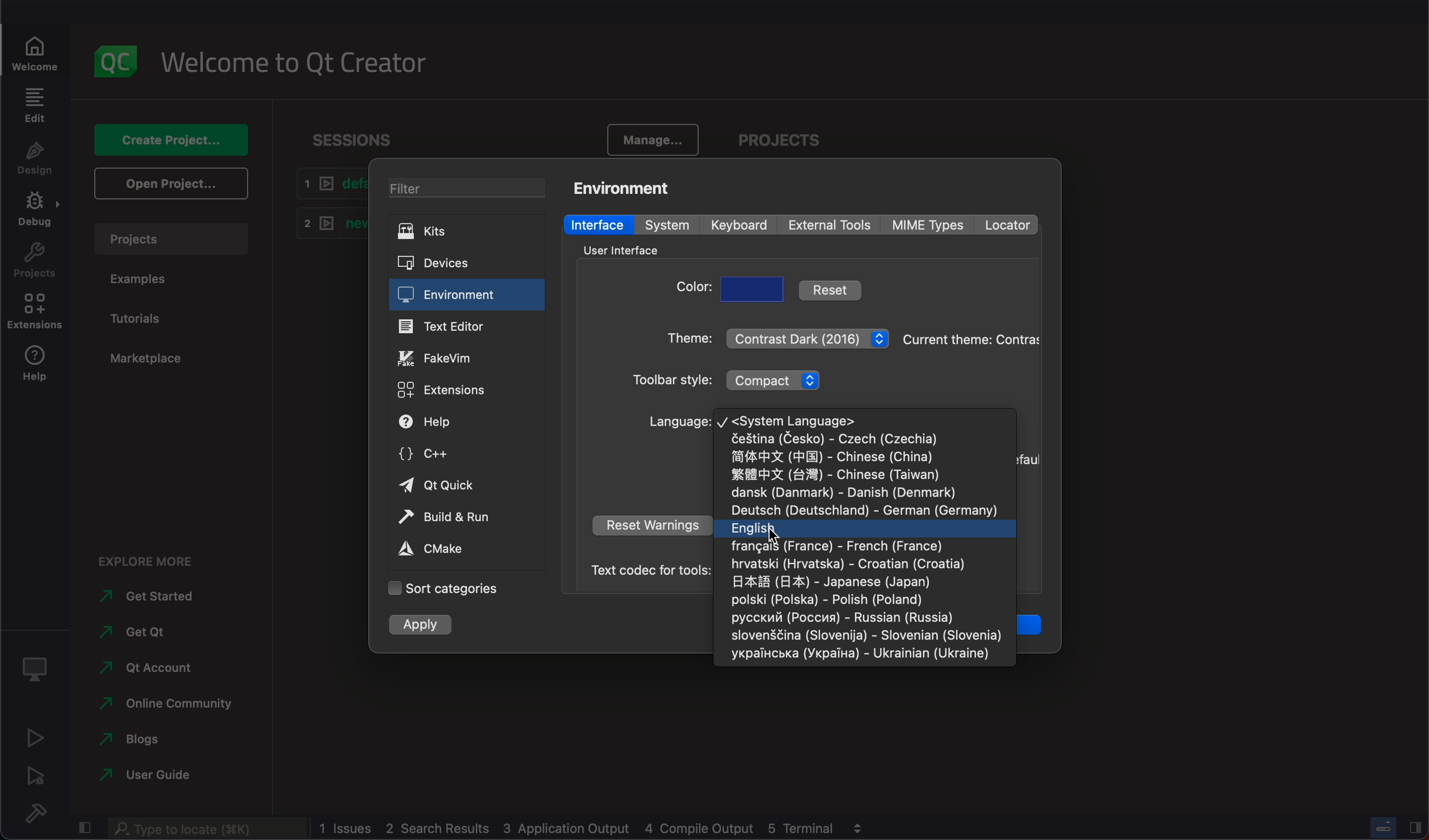 This screenshot has width=1429, height=840. What do you see at coordinates (851, 565) in the screenshot?
I see `croatia` at bounding box center [851, 565].